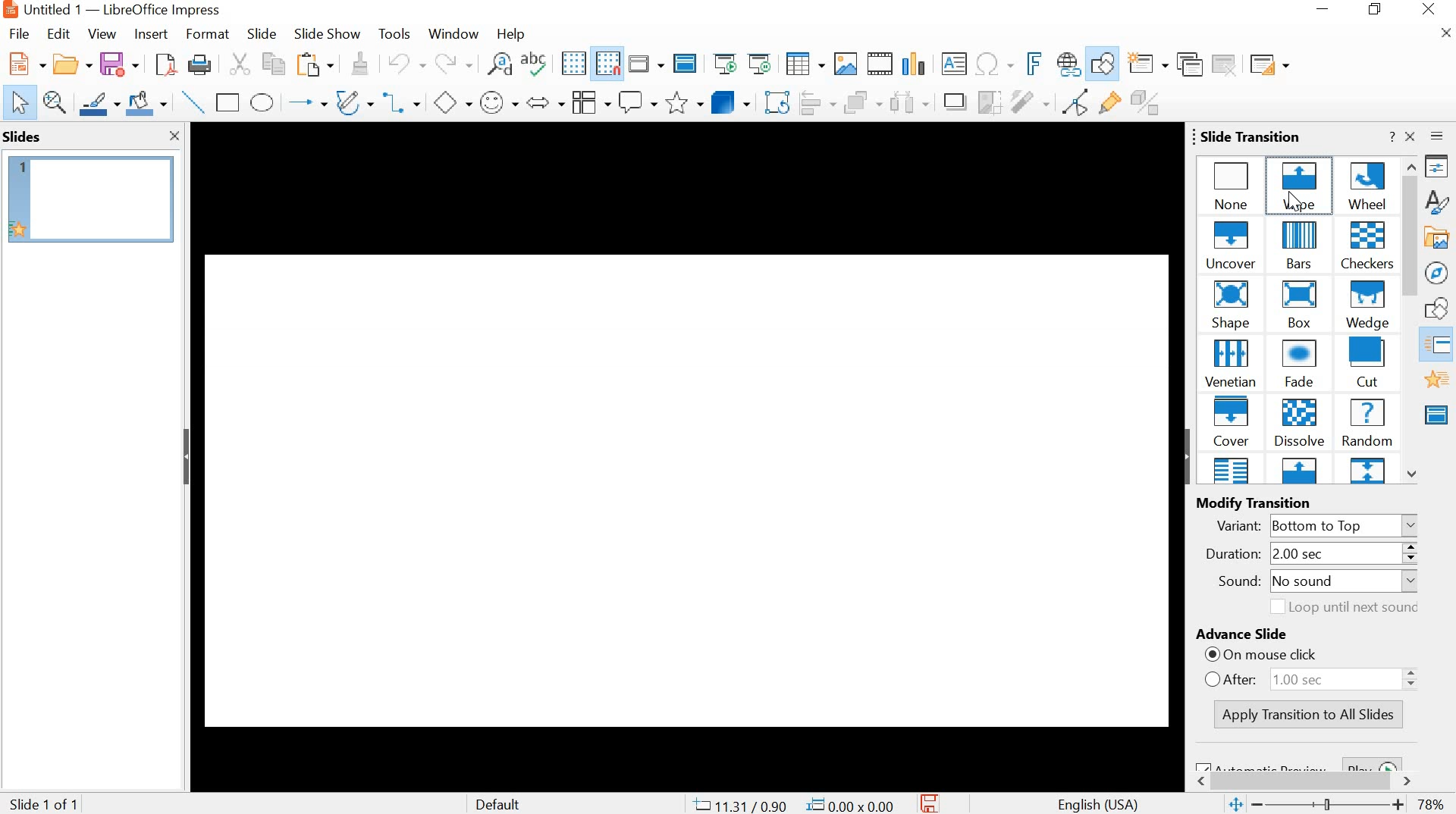 The height and width of the screenshot is (814, 1456). I want to click on HIDE, so click(1185, 456).